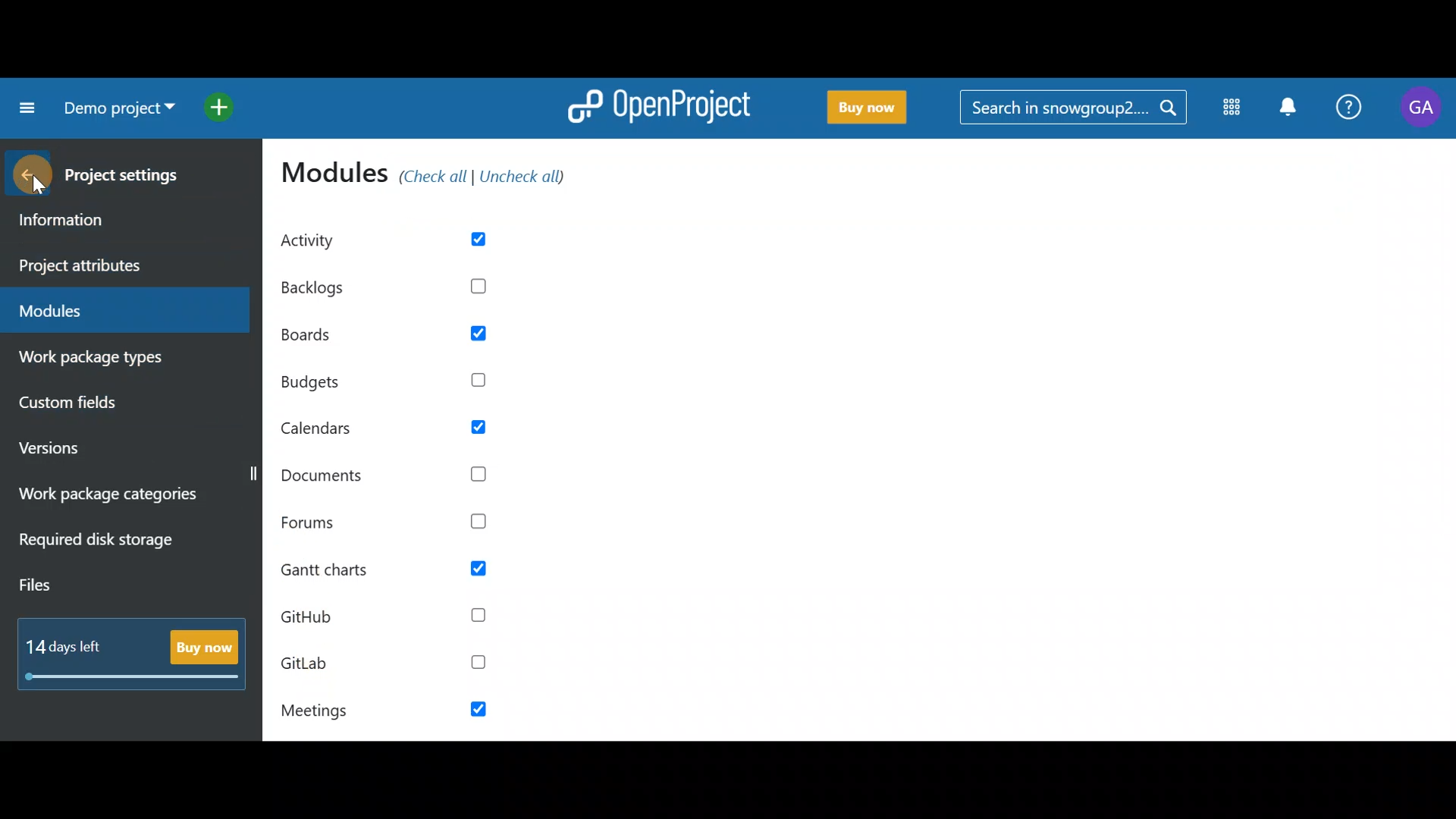 This screenshot has width=1456, height=819. What do you see at coordinates (79, 588) in the screenshot?
I see `Files` at bounding box center [79, 588].